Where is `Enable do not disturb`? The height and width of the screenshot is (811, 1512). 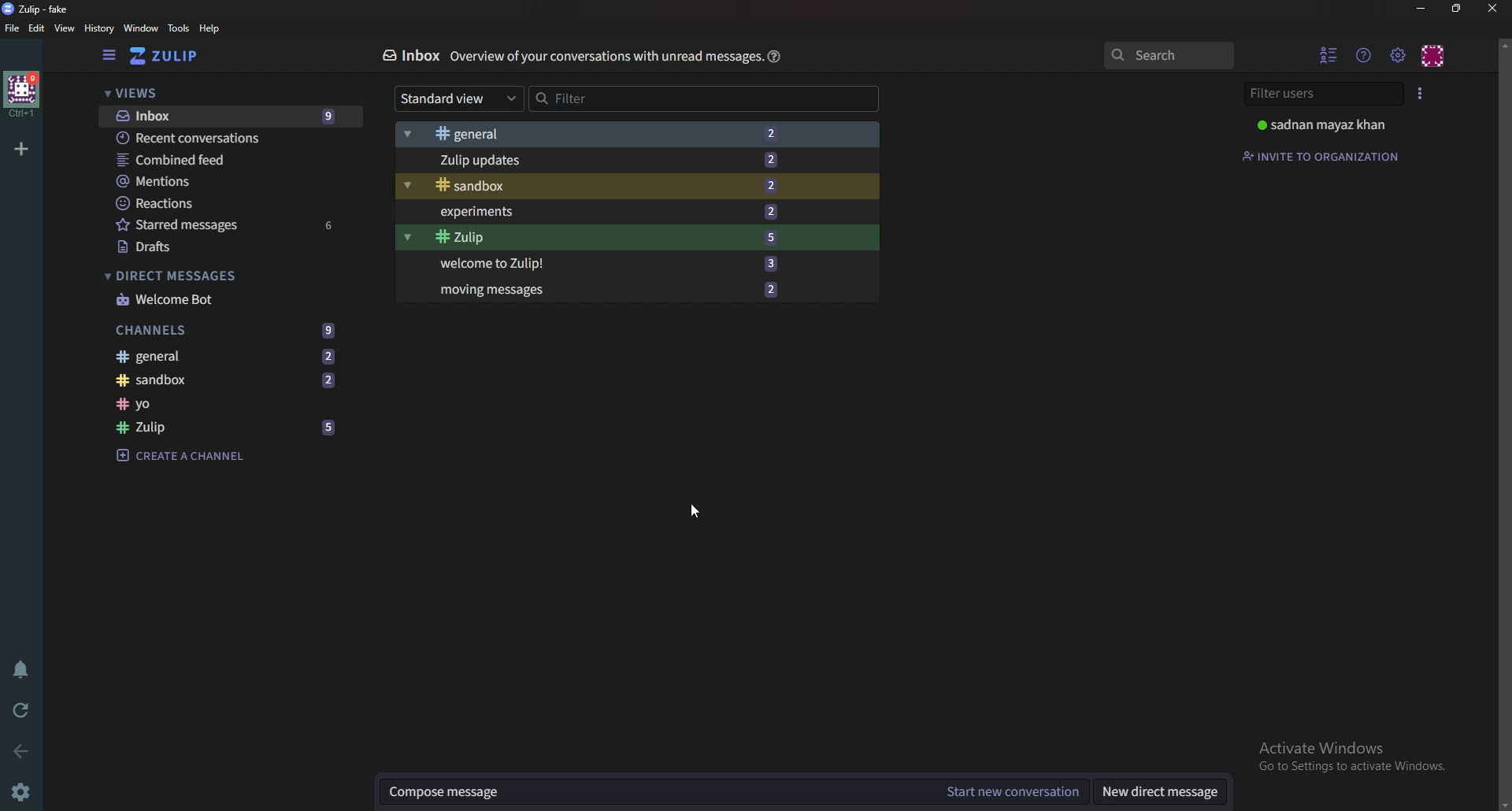 Enable do not disturb is located at coordinates (20, 668).